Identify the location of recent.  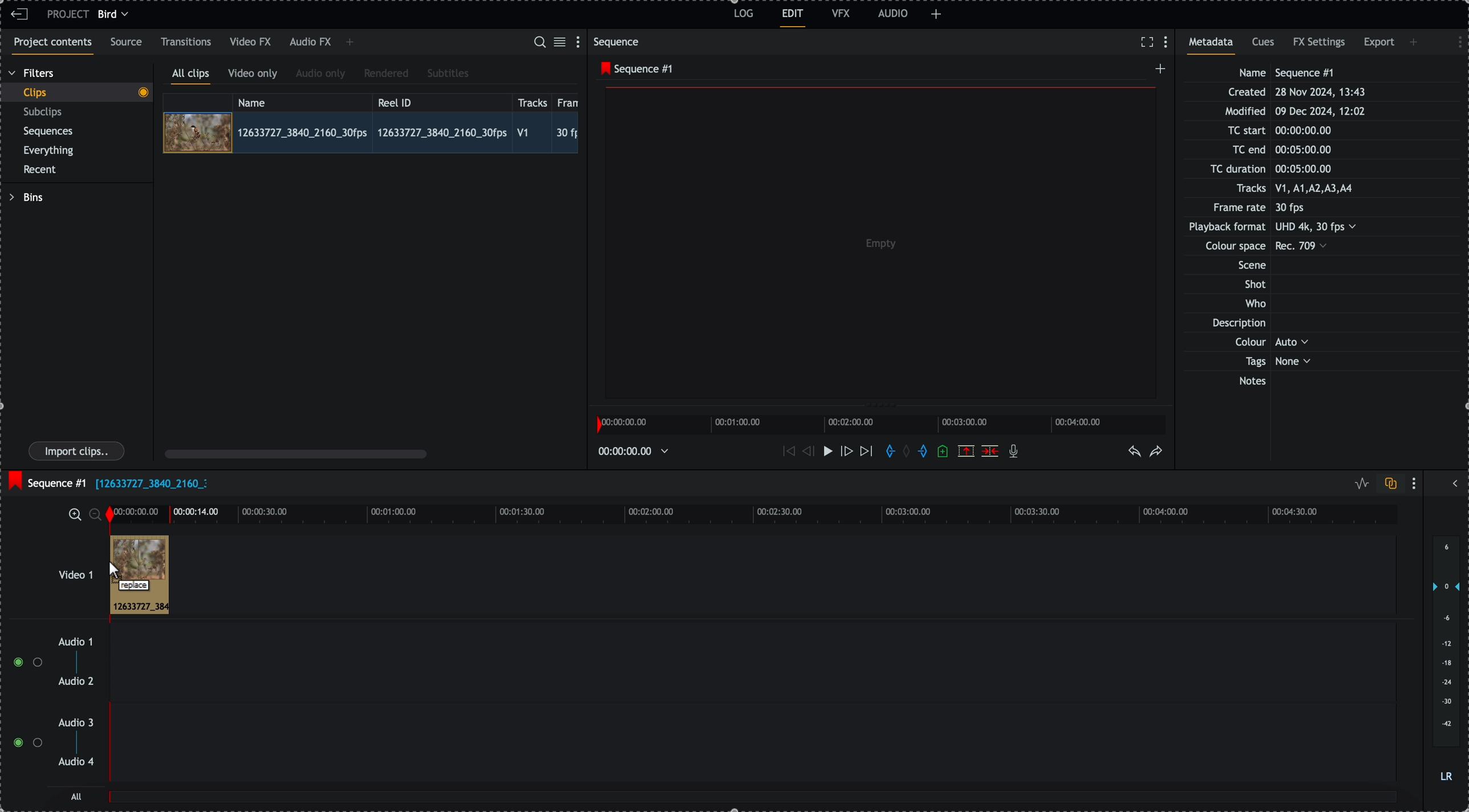
(42, 170).